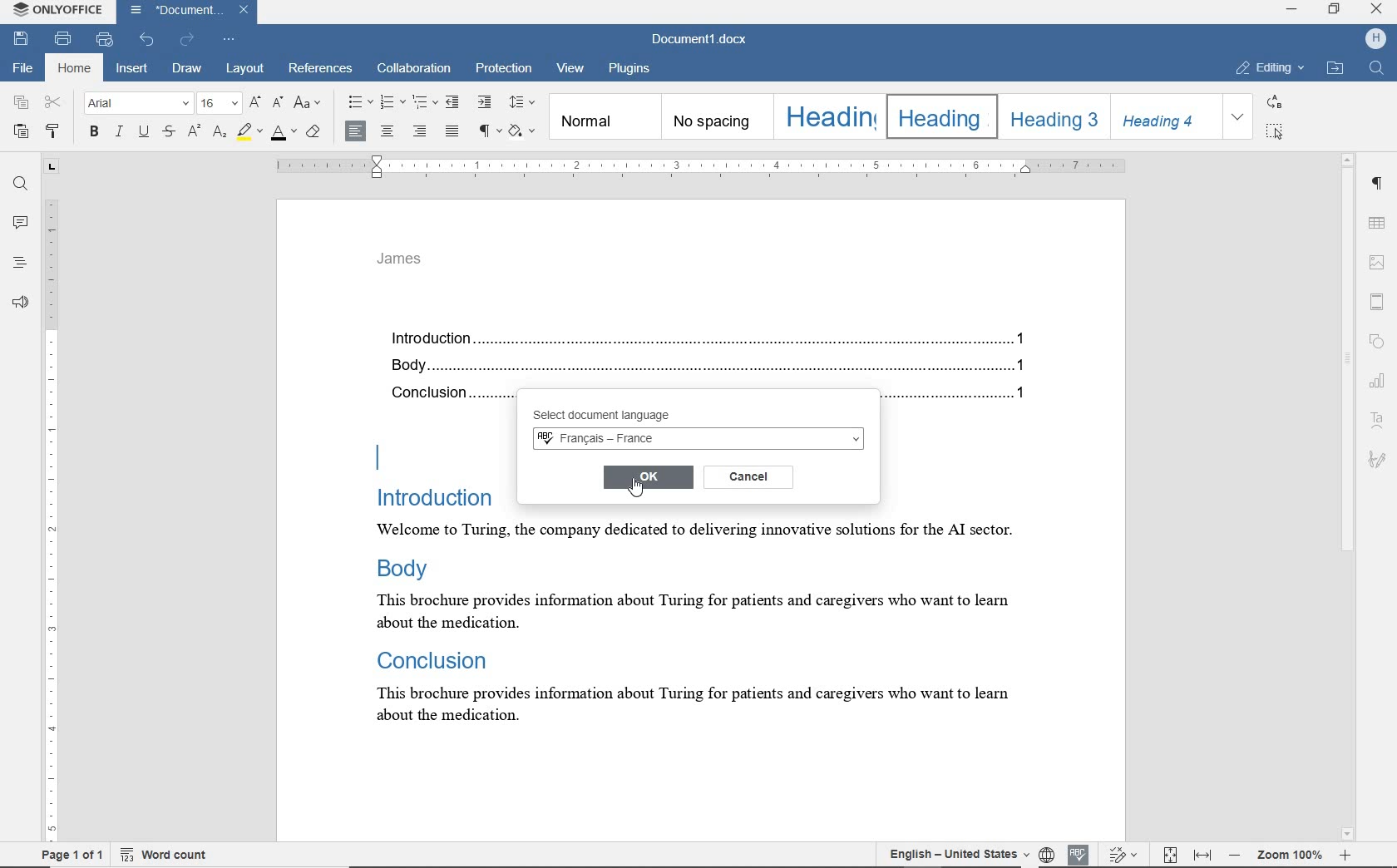 Image resolution: width=1397 pixels, height=868 pixels. What do you see at coordinates (1376, 458) in the screenshot?
I see `signature` at bounding box center [1376, 458].